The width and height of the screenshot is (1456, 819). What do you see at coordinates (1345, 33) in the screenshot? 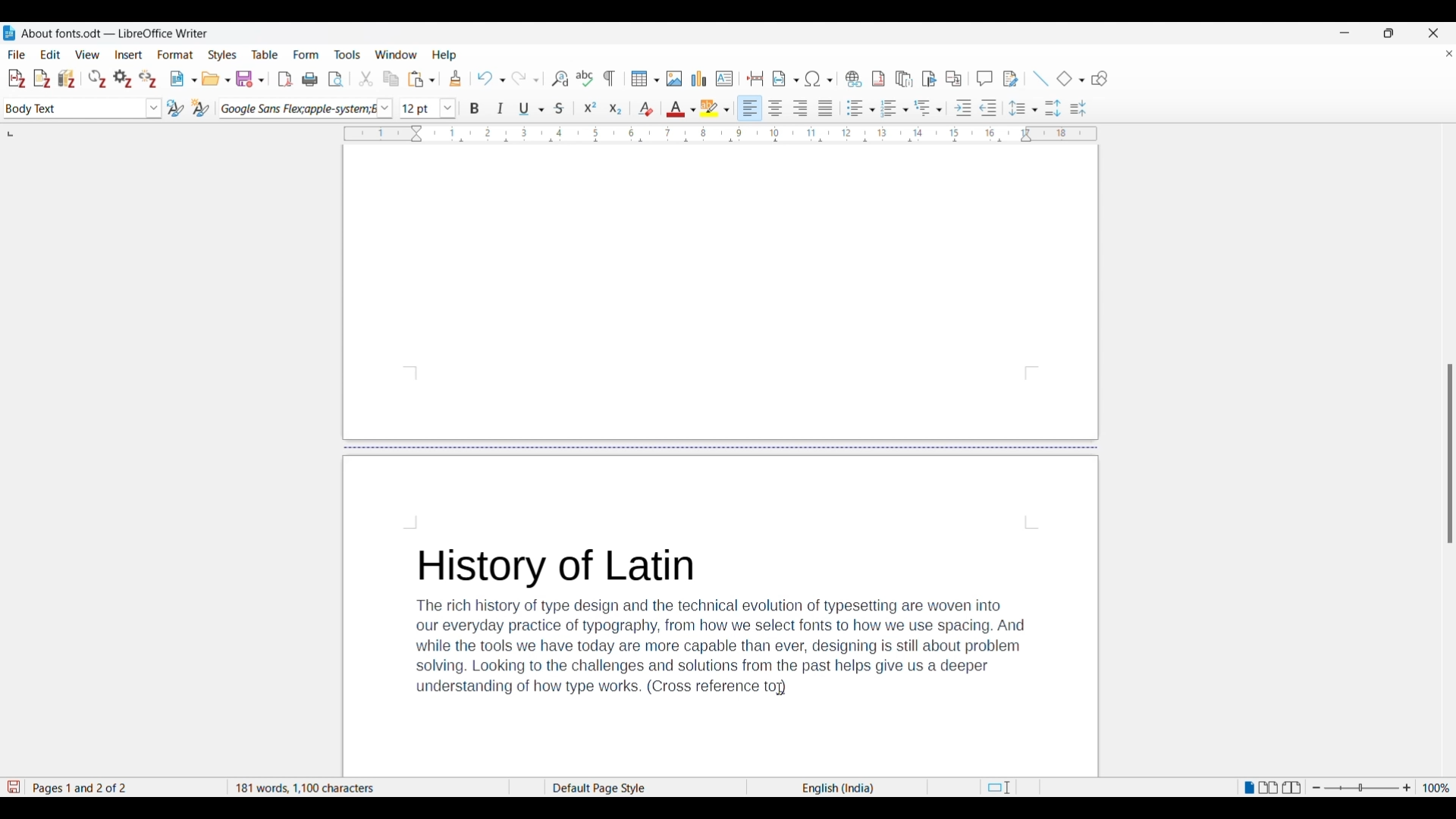
I see `Minimize` at bounding box center [1345, 33].